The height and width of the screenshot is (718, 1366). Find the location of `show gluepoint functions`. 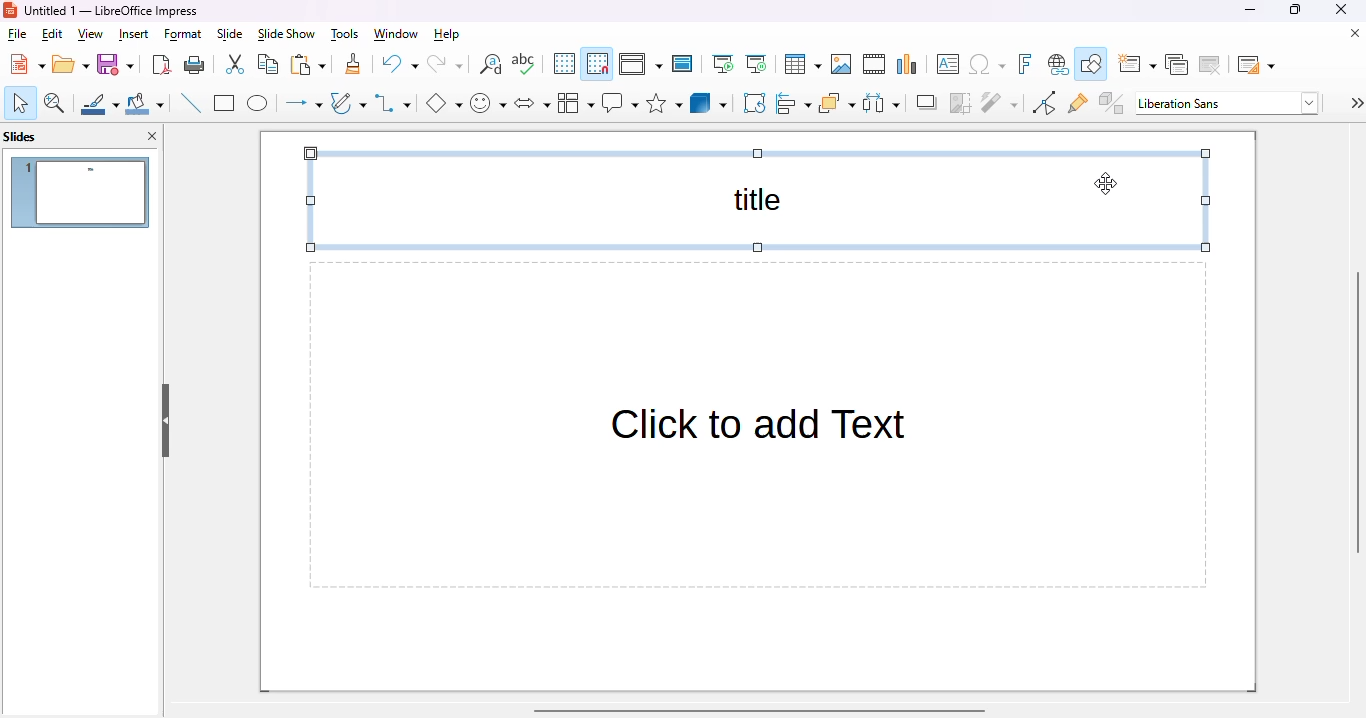

show gluepoint functions is located at coordinates (1078, 103).